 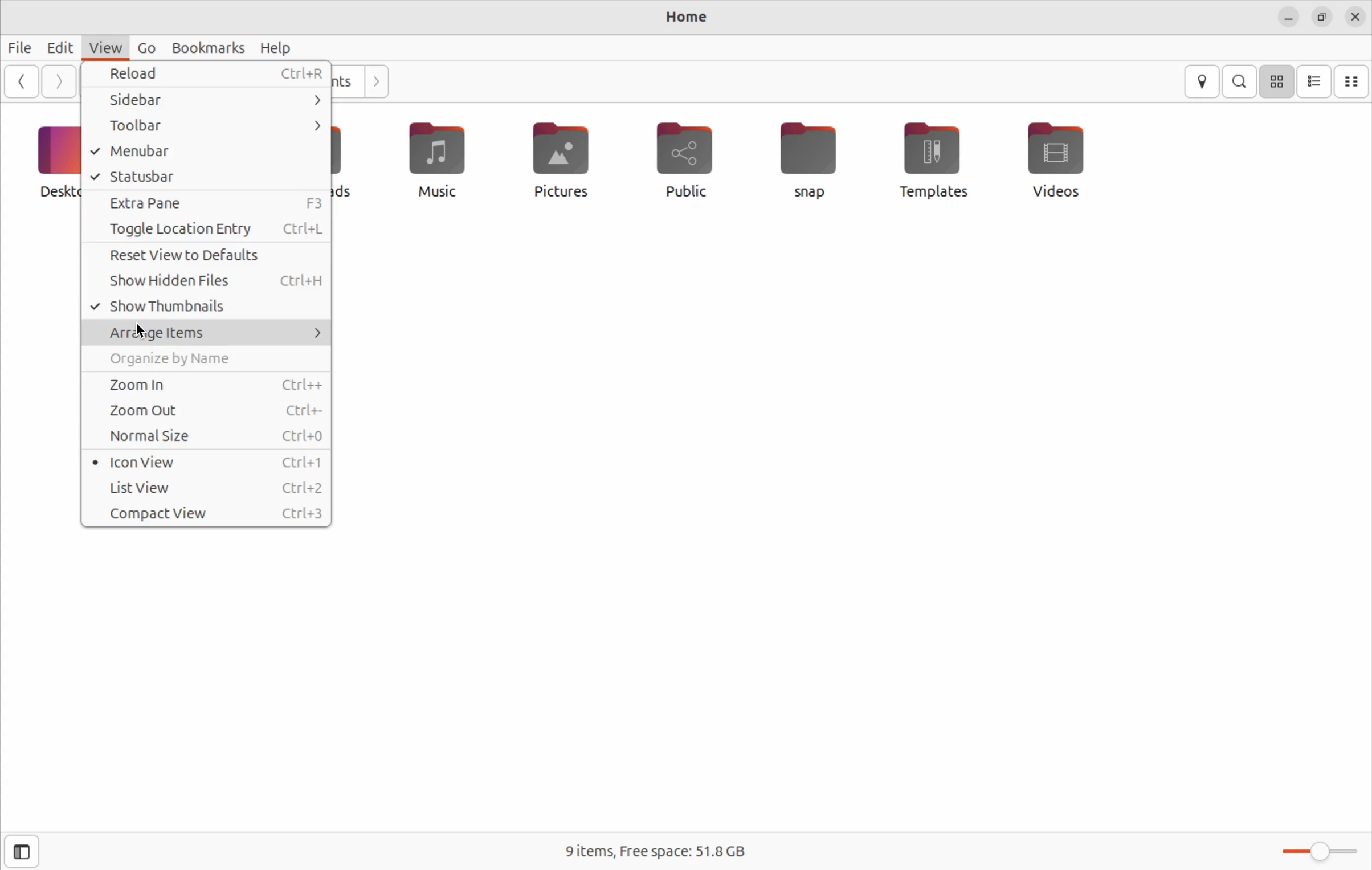 I want to click on bookmarks, so click(x=208, y=46).